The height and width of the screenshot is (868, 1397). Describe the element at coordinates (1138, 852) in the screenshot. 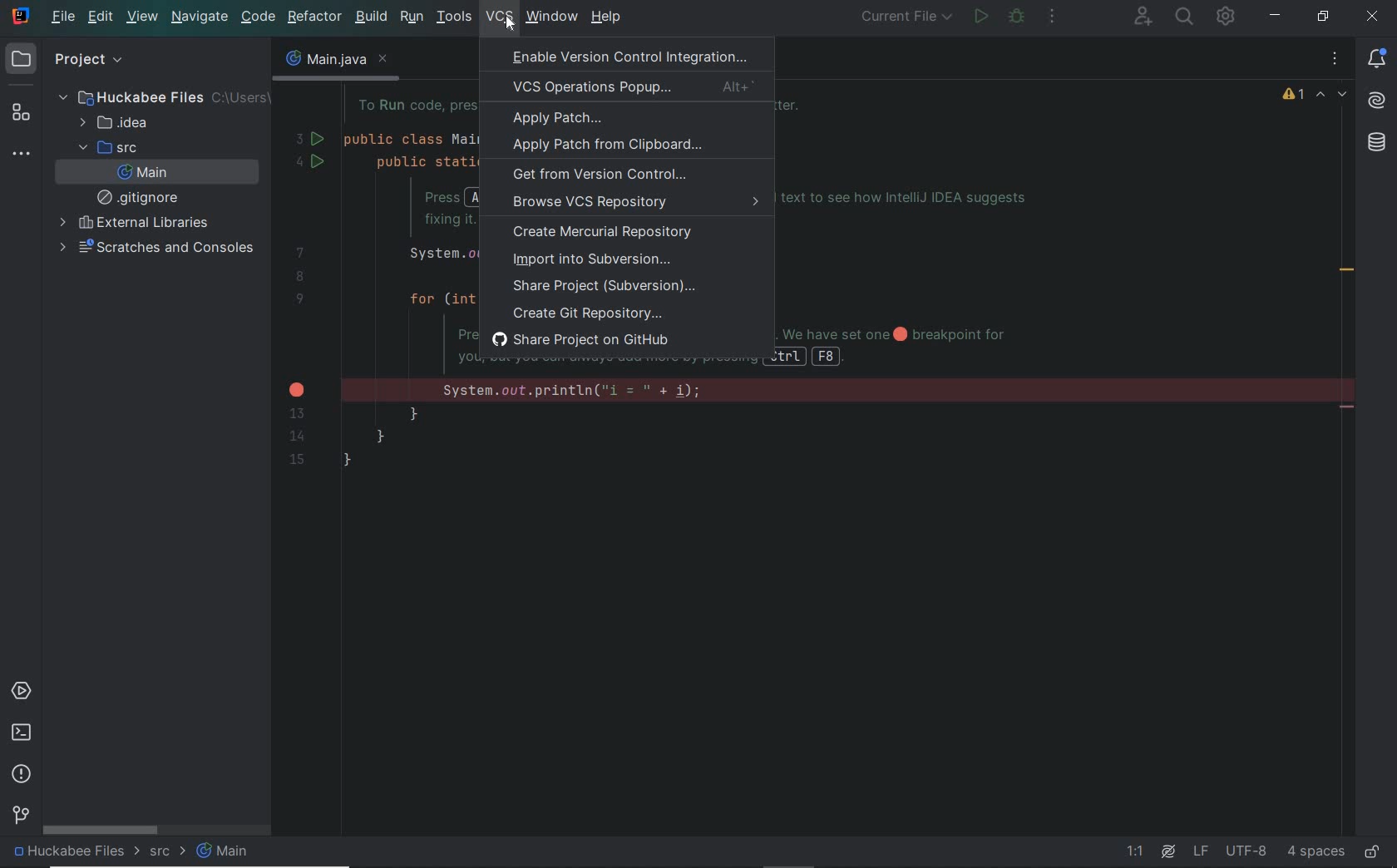

I see `go to line` at that location.